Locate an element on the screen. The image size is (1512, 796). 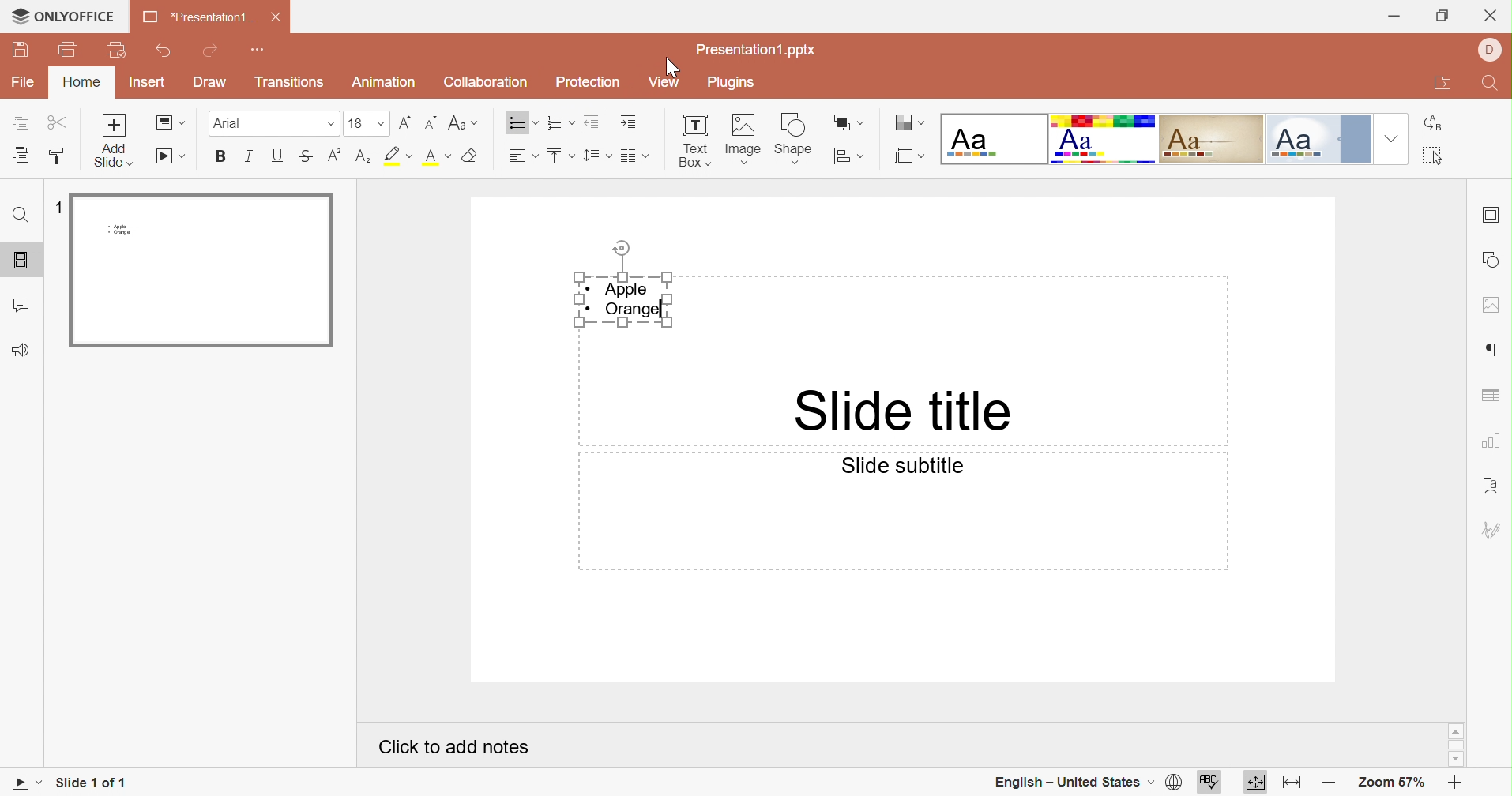
Home is located at coordinates (81, 84).